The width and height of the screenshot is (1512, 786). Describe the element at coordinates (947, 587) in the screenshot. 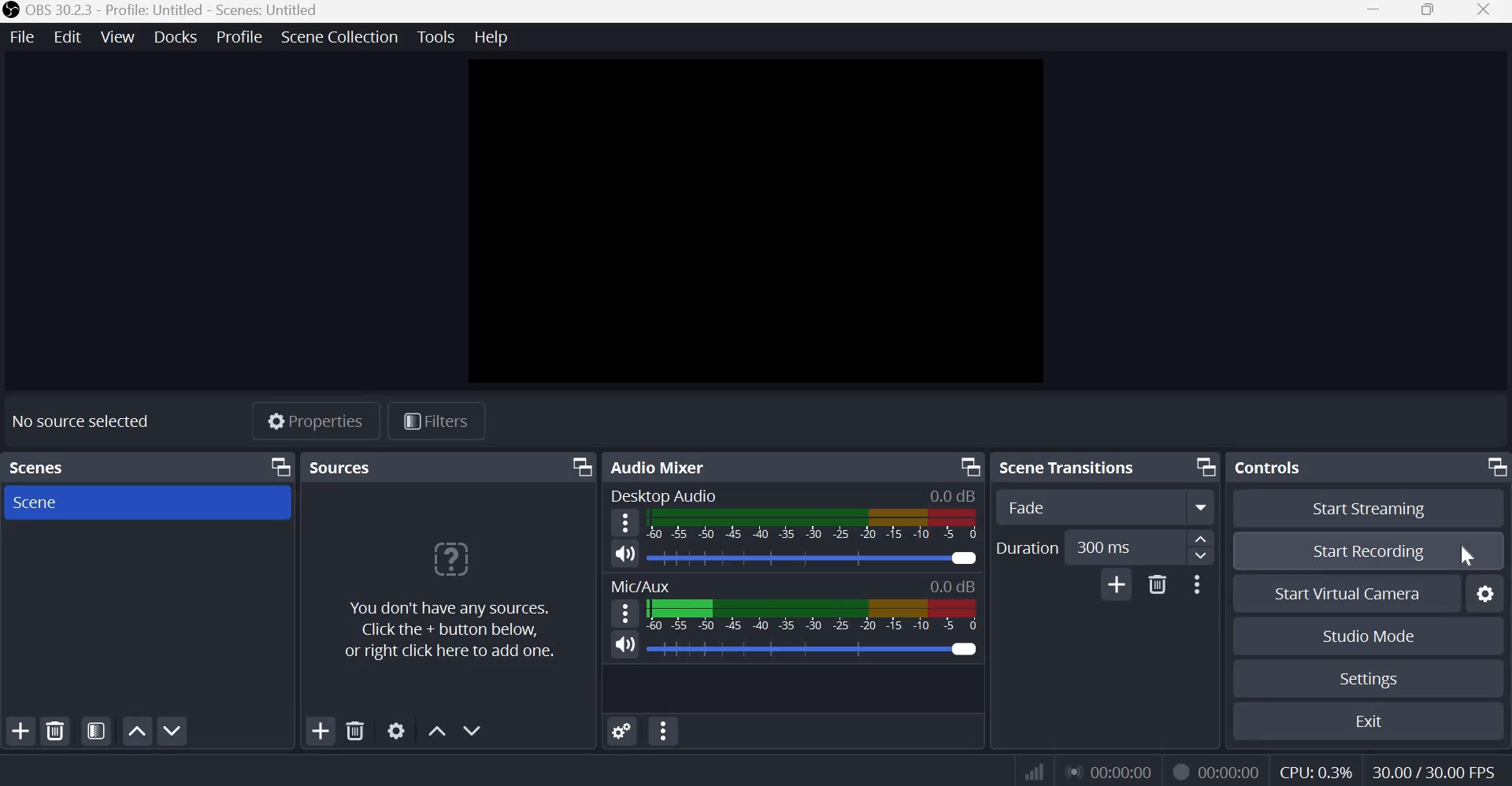

I see `Audio Level Indicator` at that location.